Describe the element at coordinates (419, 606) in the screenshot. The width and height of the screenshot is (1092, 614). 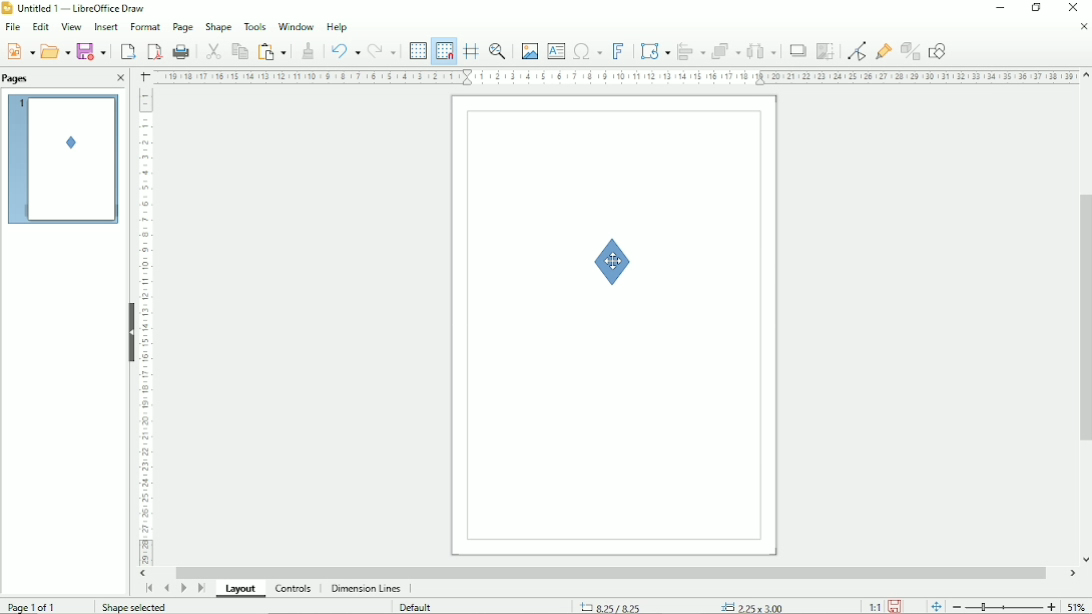
I see `Default` at that location.